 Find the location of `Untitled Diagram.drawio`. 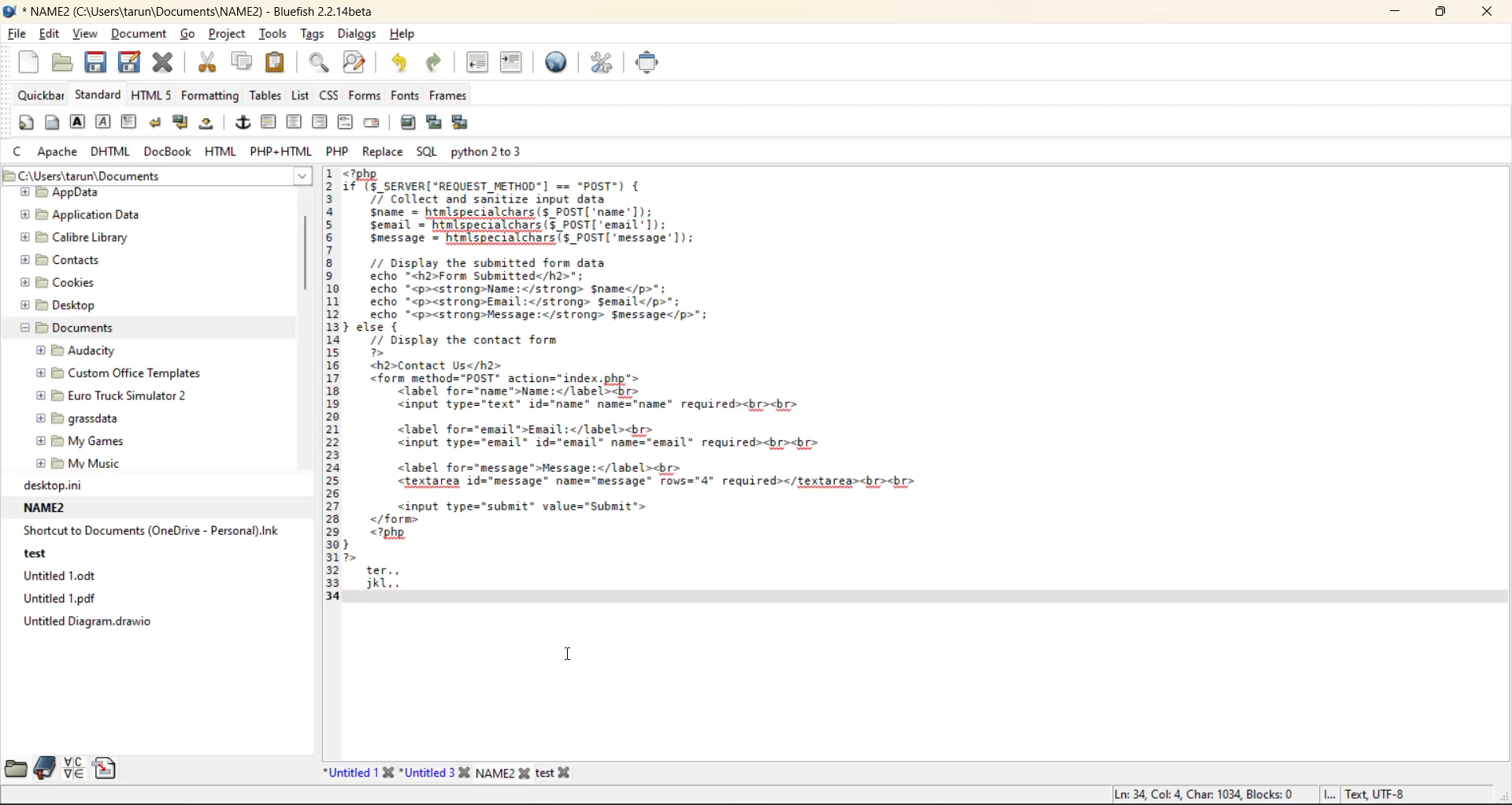

Untitled Diagram.drawio is located at coordinates (84, 624).